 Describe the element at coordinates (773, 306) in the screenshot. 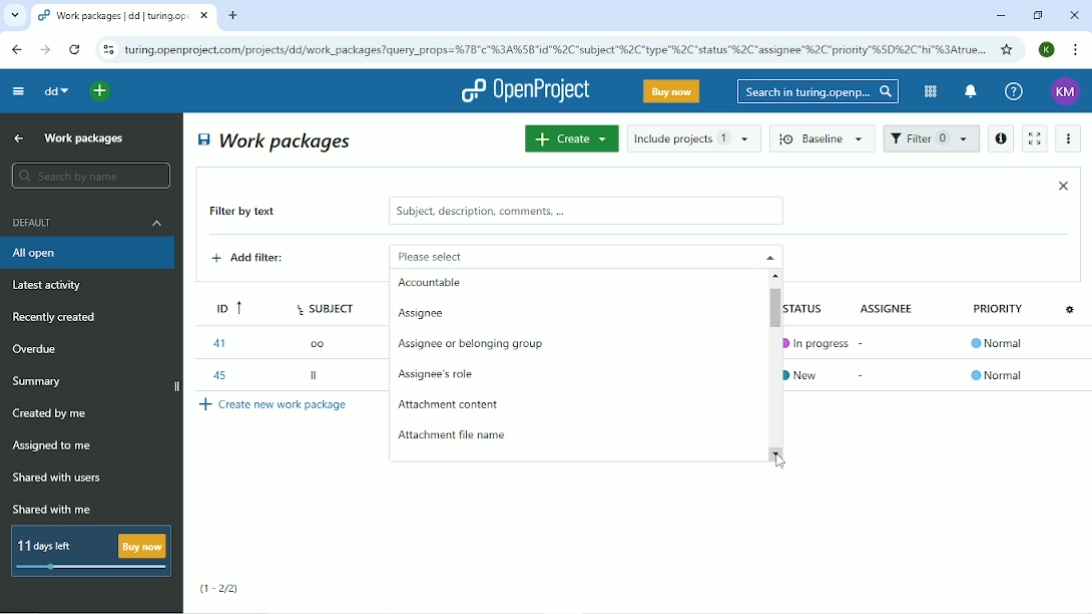

I see `Vertical scrollbar` at that location.